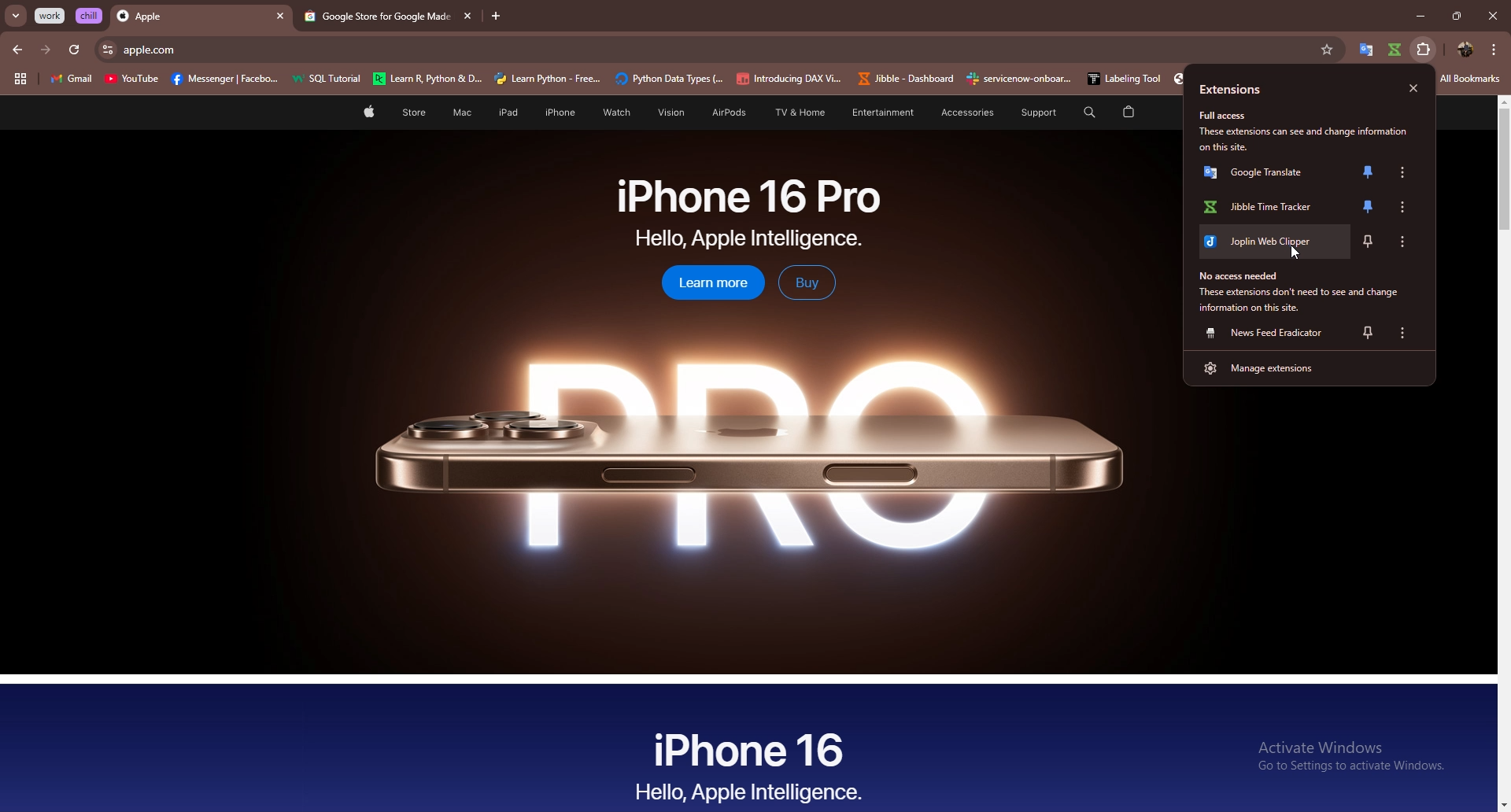  I want to click on Labeling Too, so click(1121, 79).